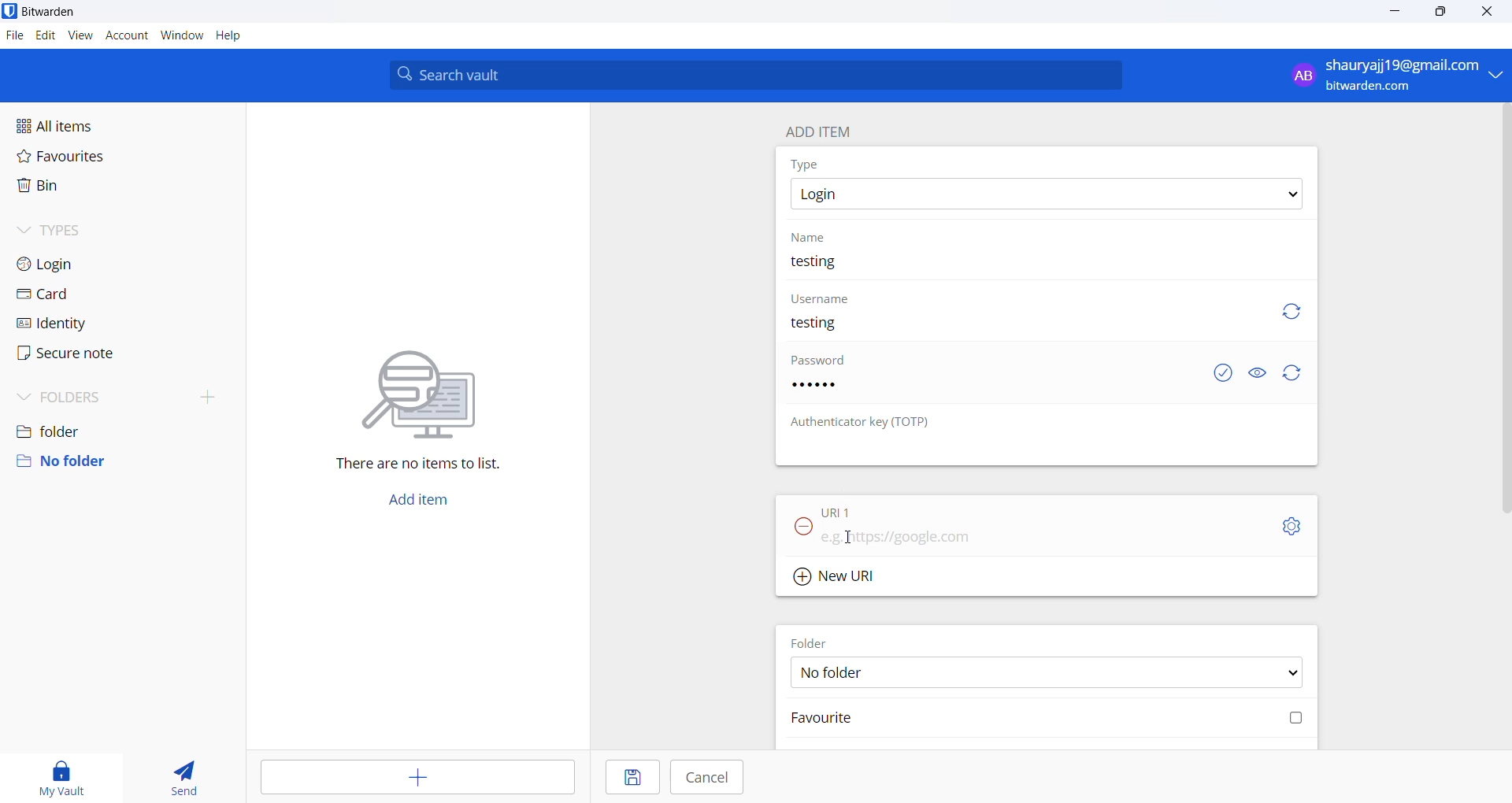  What do you see at coordinates (1026, 451) in the screenshot?
I see `OTP input box` at bounding box center [1026, 451].